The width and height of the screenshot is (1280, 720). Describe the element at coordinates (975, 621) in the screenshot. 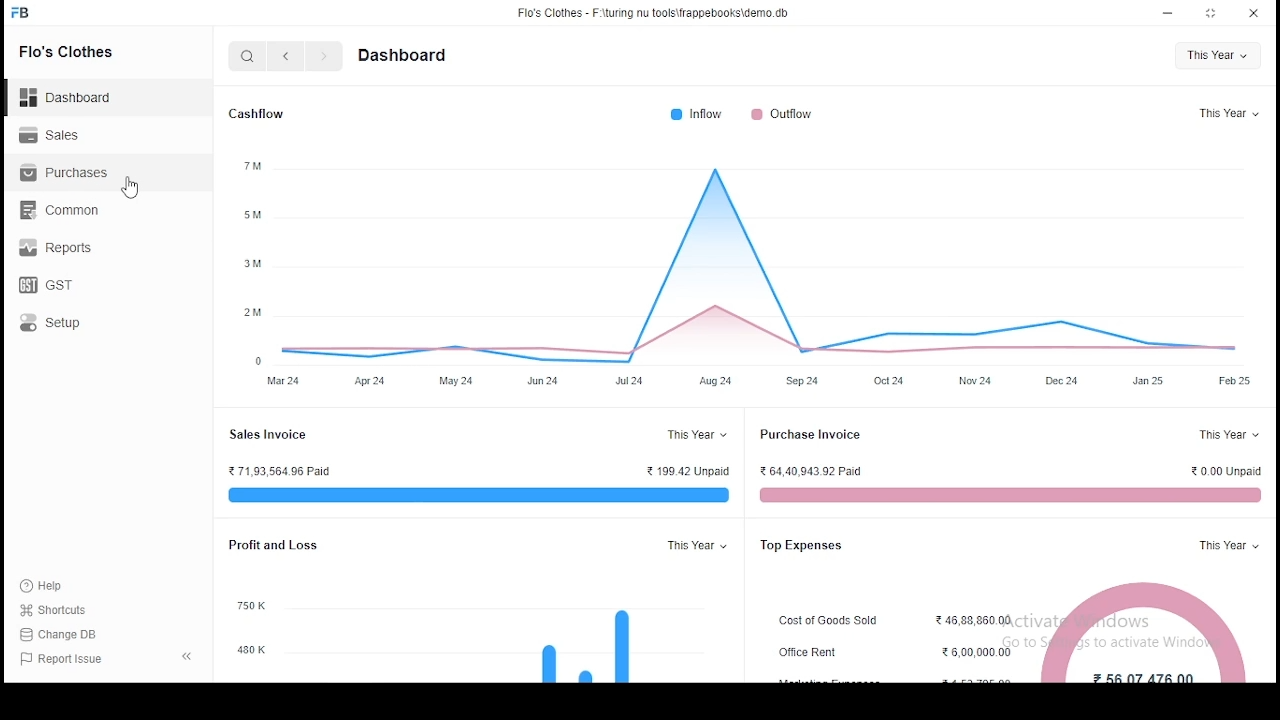

I see `46,88,860.00` at that location.